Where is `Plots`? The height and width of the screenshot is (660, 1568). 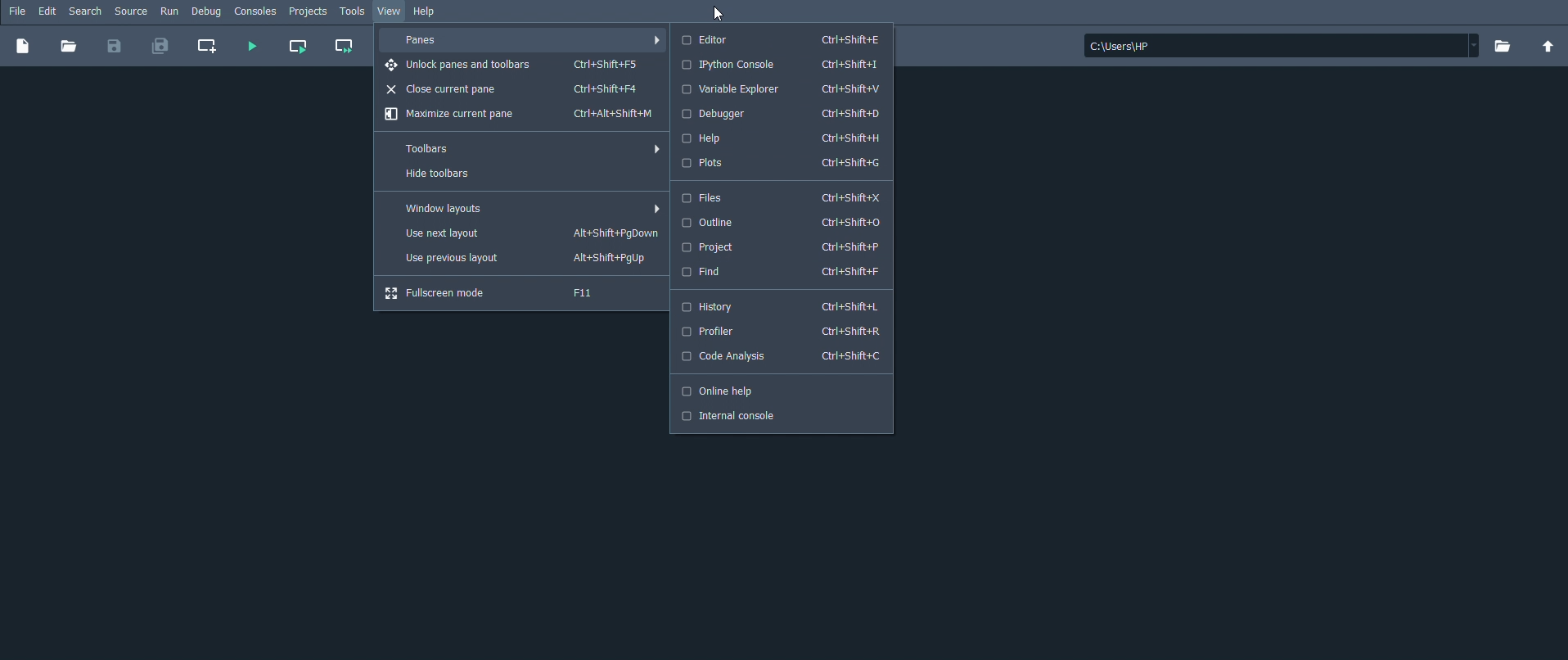 Plots is located at coordinates (786, 163).